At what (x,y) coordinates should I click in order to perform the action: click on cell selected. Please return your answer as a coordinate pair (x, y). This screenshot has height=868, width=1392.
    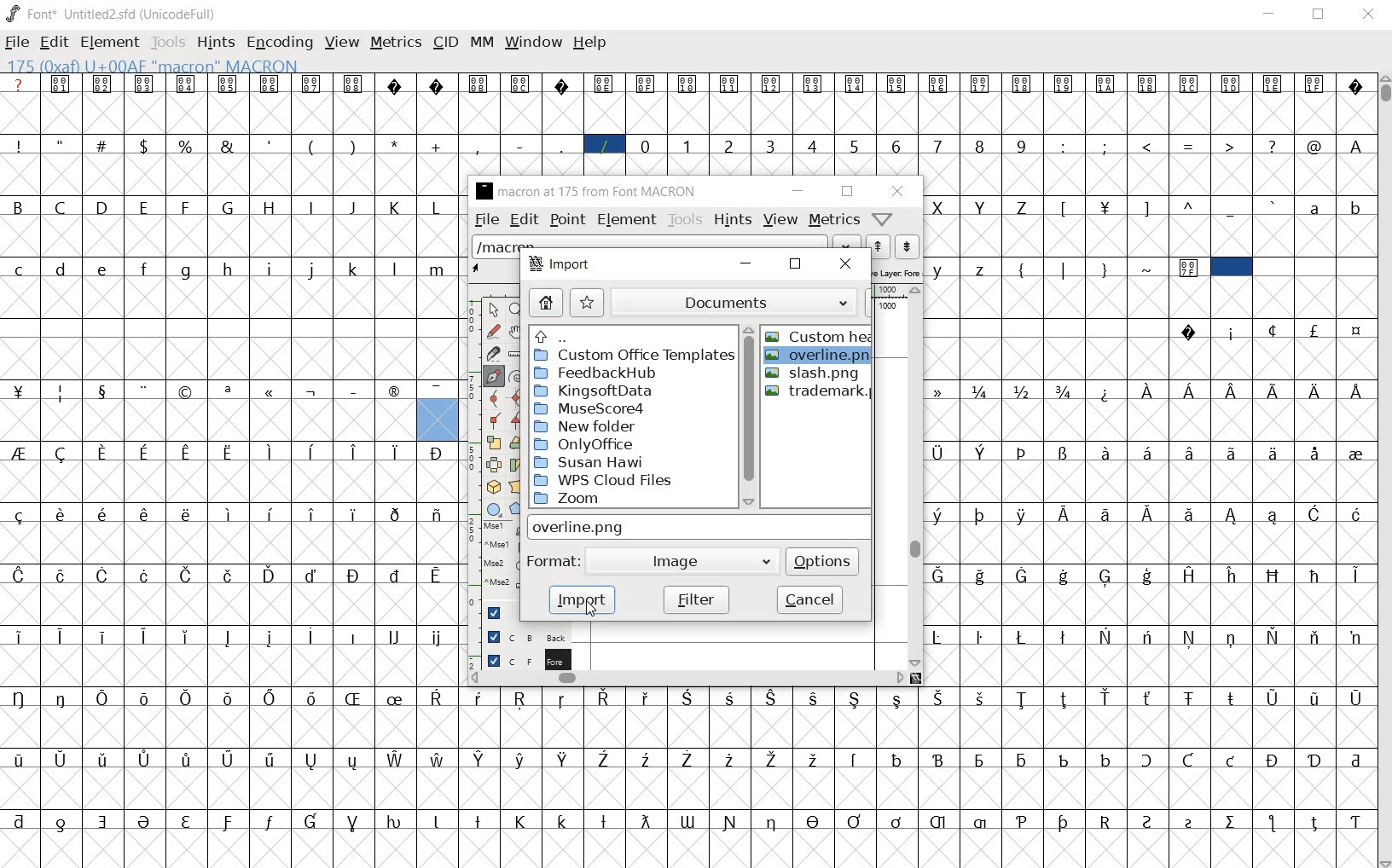
    Looking at the image, I should click on (1231, 267).